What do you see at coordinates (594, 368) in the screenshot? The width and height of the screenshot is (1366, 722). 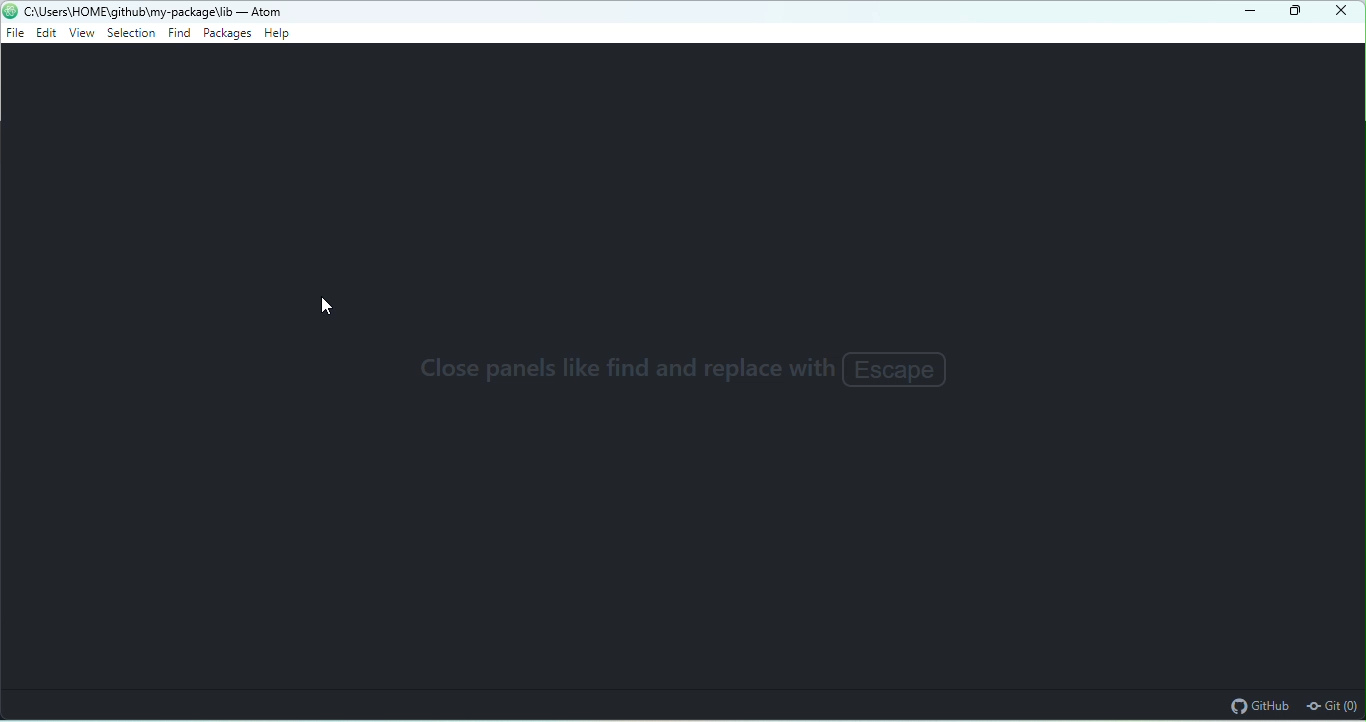 I see `close panels like find and replace with` at bounding box center [594, 368].